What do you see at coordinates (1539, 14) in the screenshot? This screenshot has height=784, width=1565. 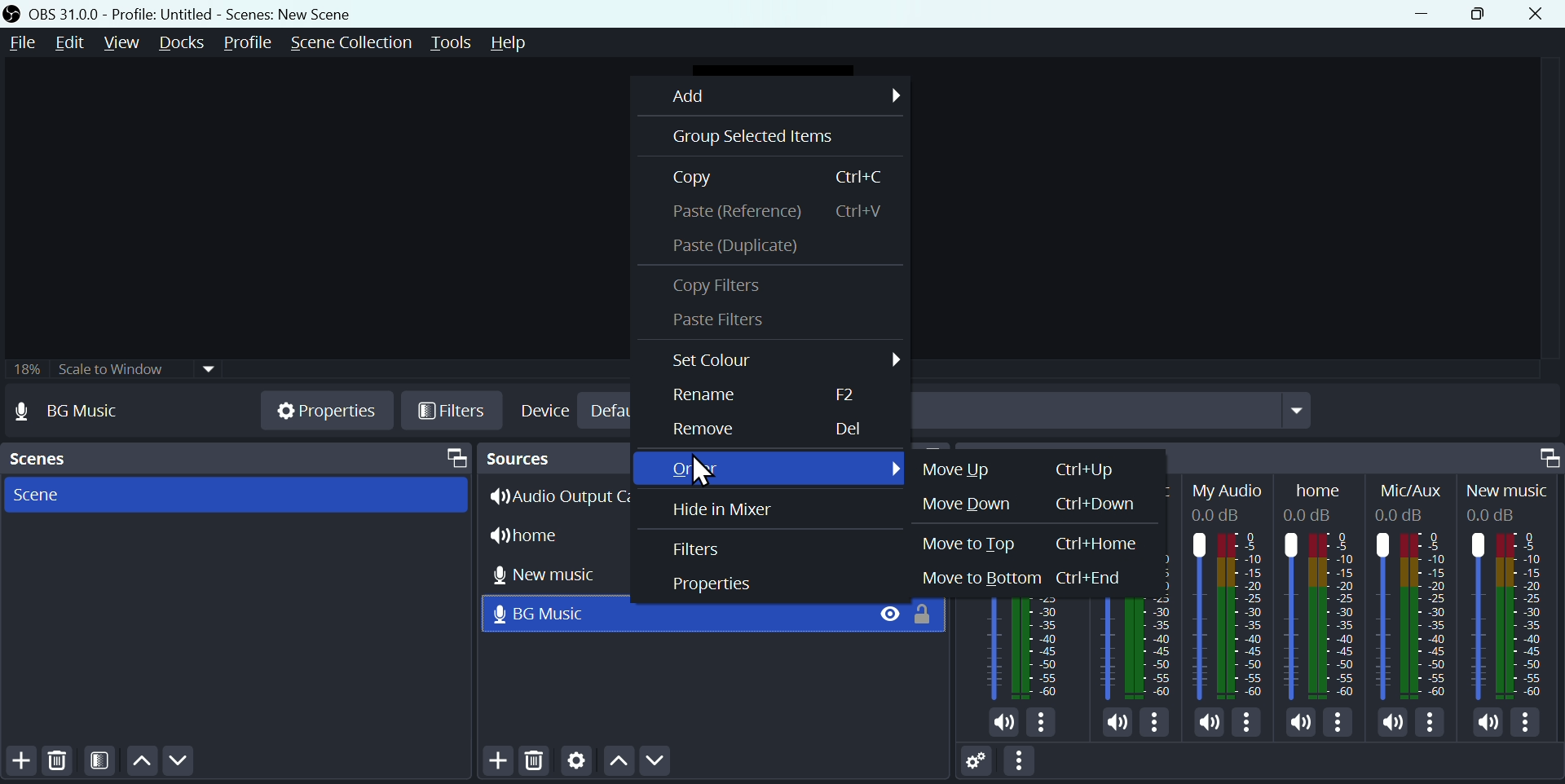 I see `close` at bounding box center [1539, 14].